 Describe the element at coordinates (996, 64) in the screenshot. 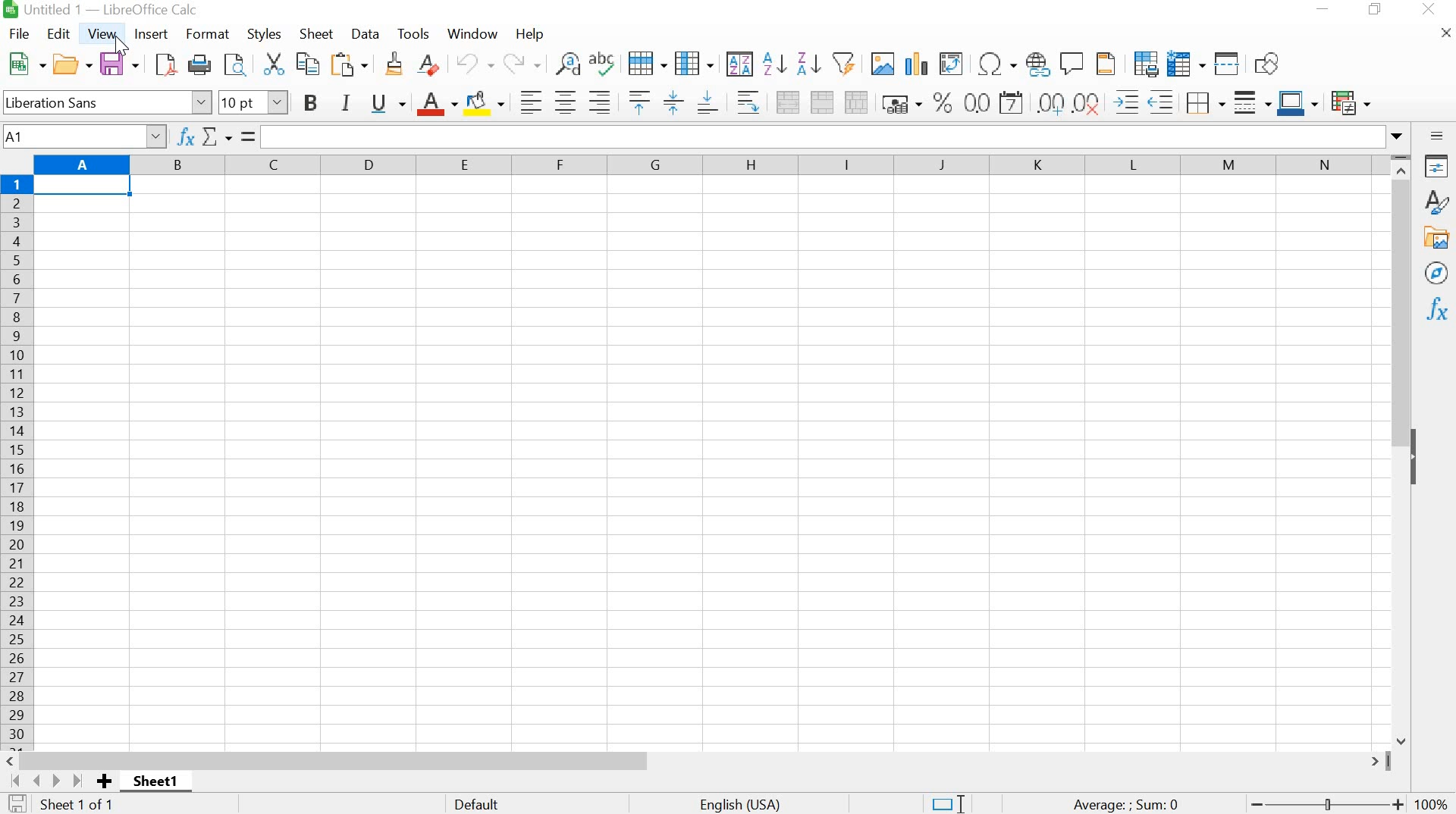

I see `INSERT SPECIAL CHARACTERS` at that location.